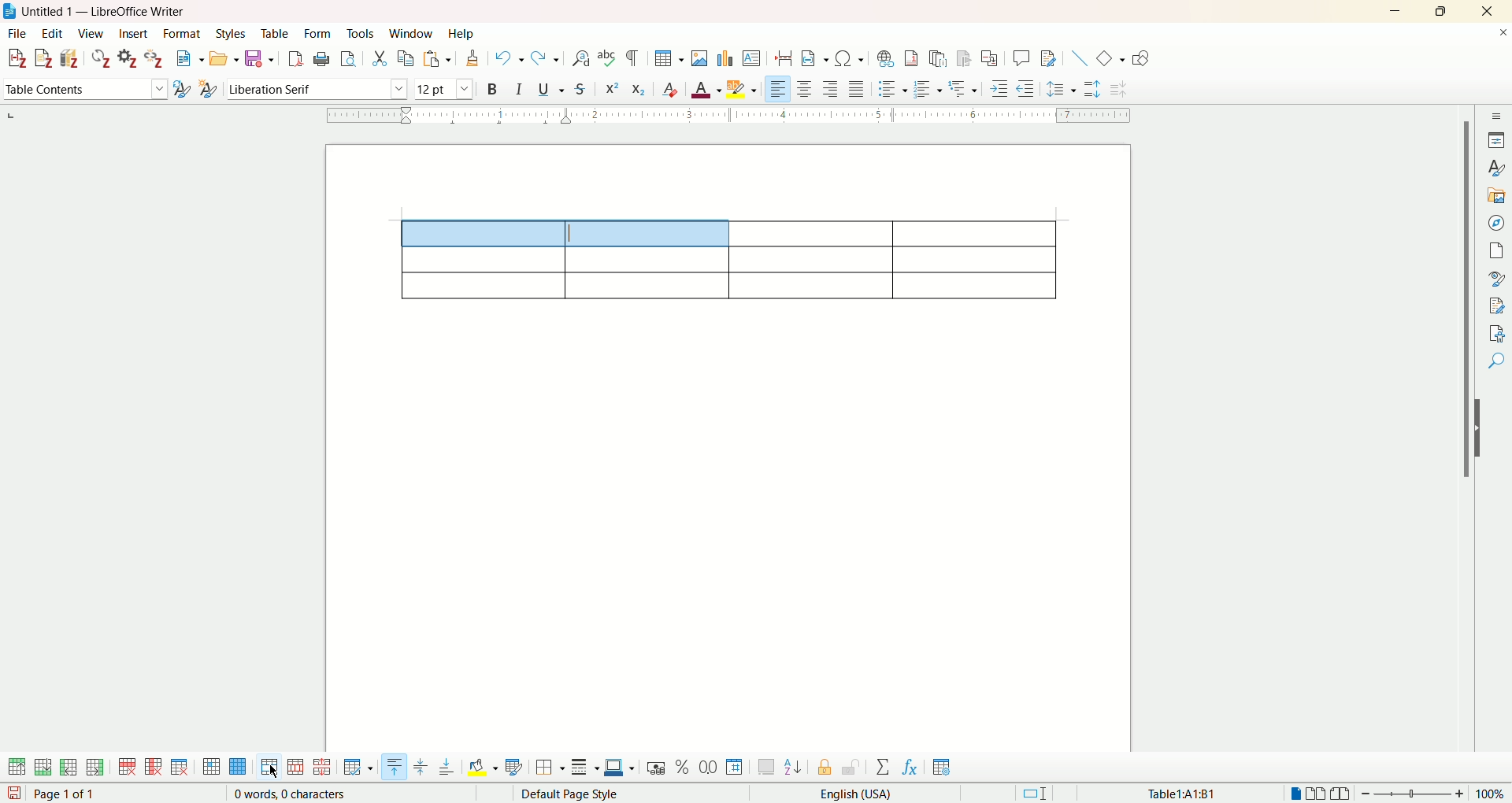 The image size is (1512, 803). What do you see at coordinates (964, 57) in the screenshot?
I see `insert bookmark` at bounding box center [964, 57].